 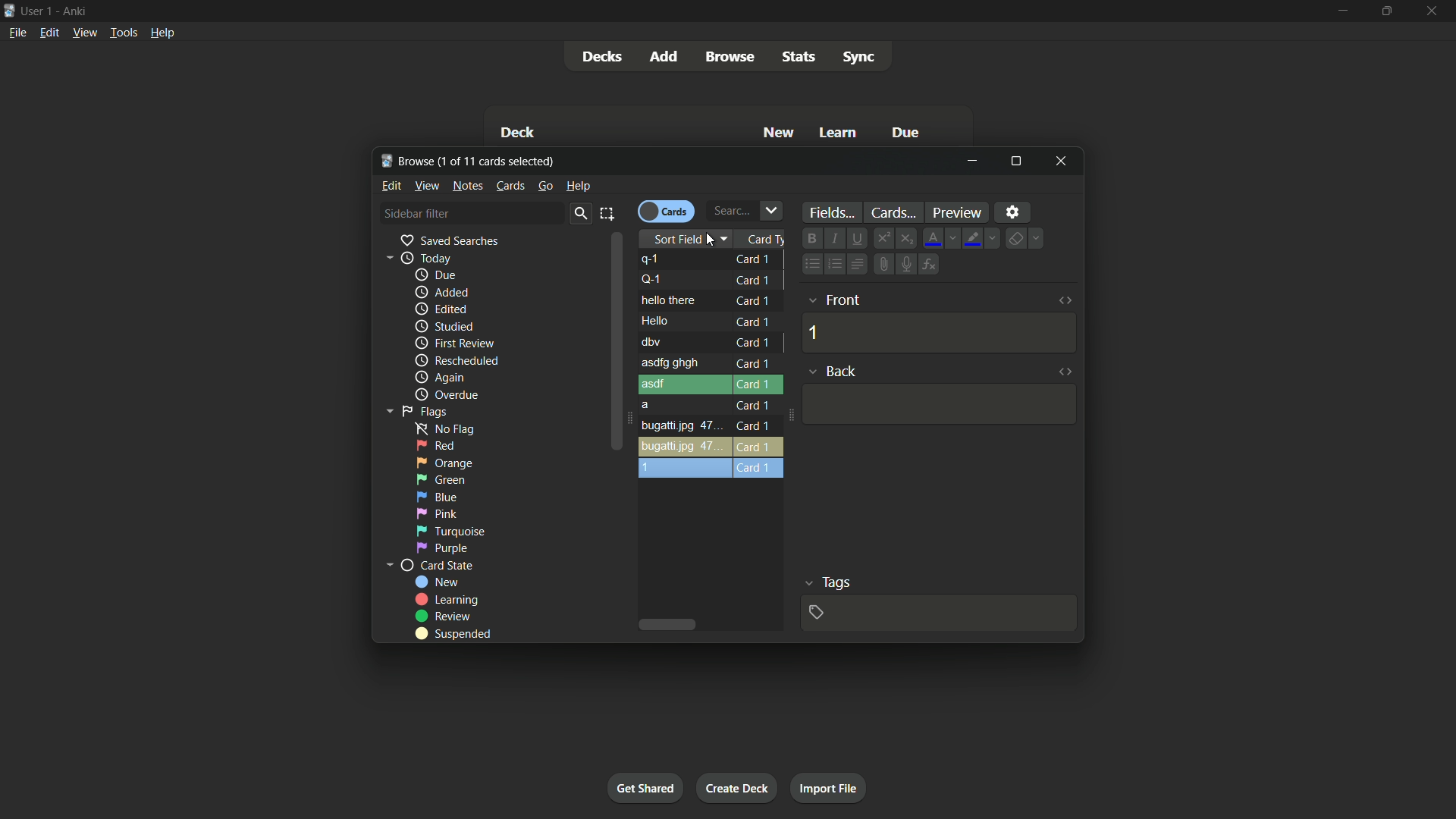 I want to click on go, so click(x=544, y=186).